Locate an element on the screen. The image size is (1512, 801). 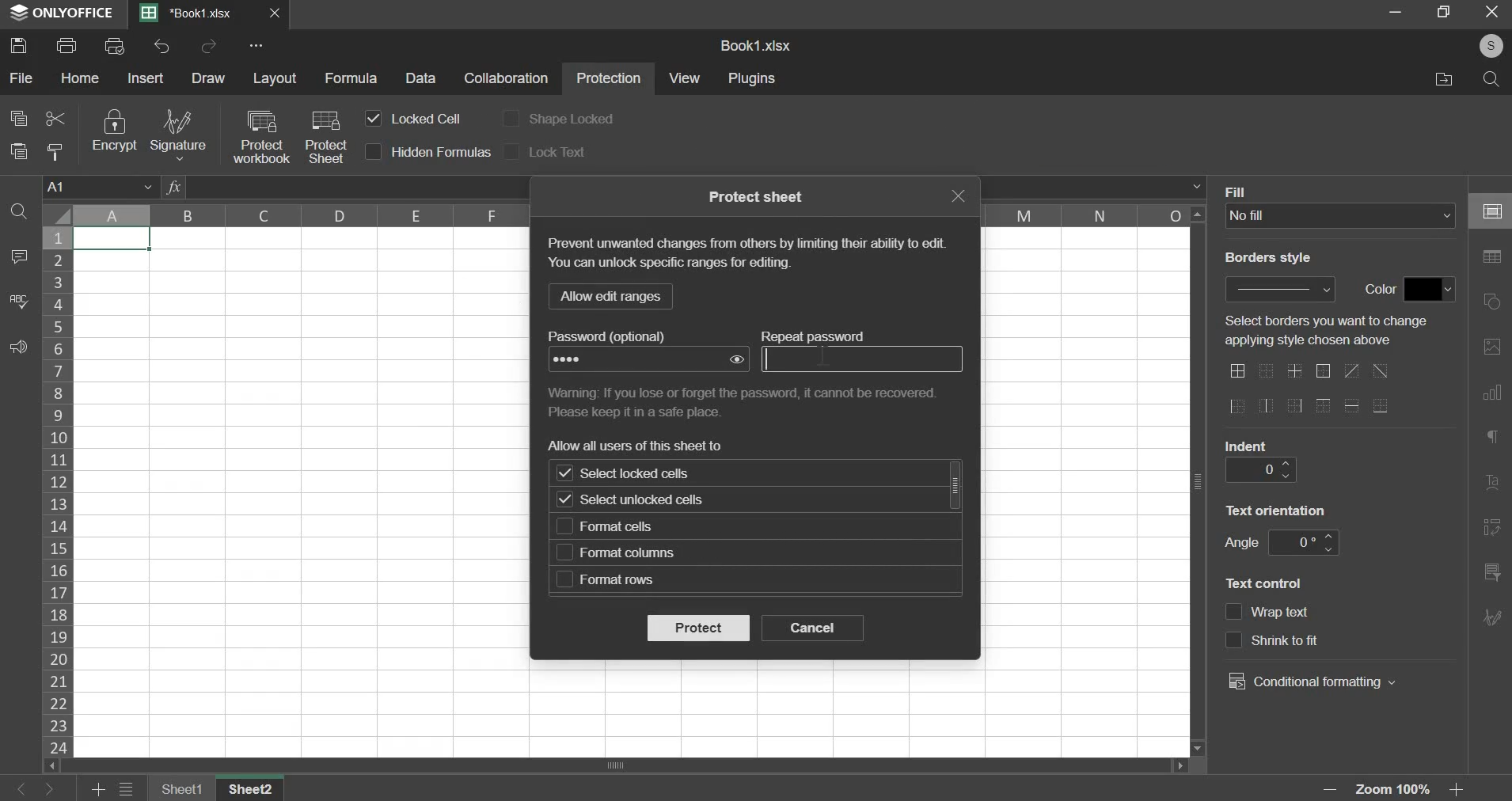
checkbox is located at coordinates (1233, 640).